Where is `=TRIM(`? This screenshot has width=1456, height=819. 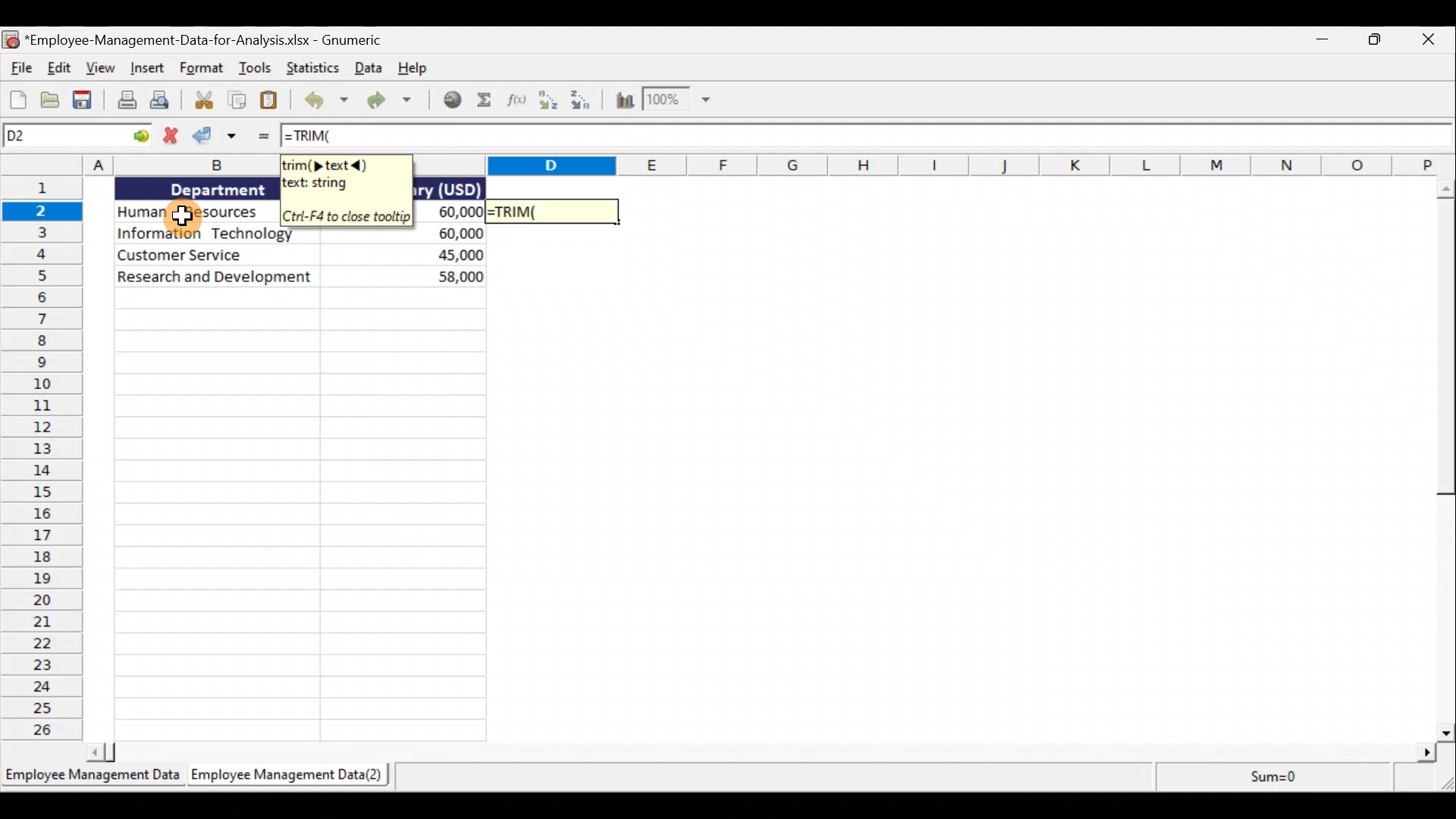 =TRIM( is located at coordinates (556, 212).